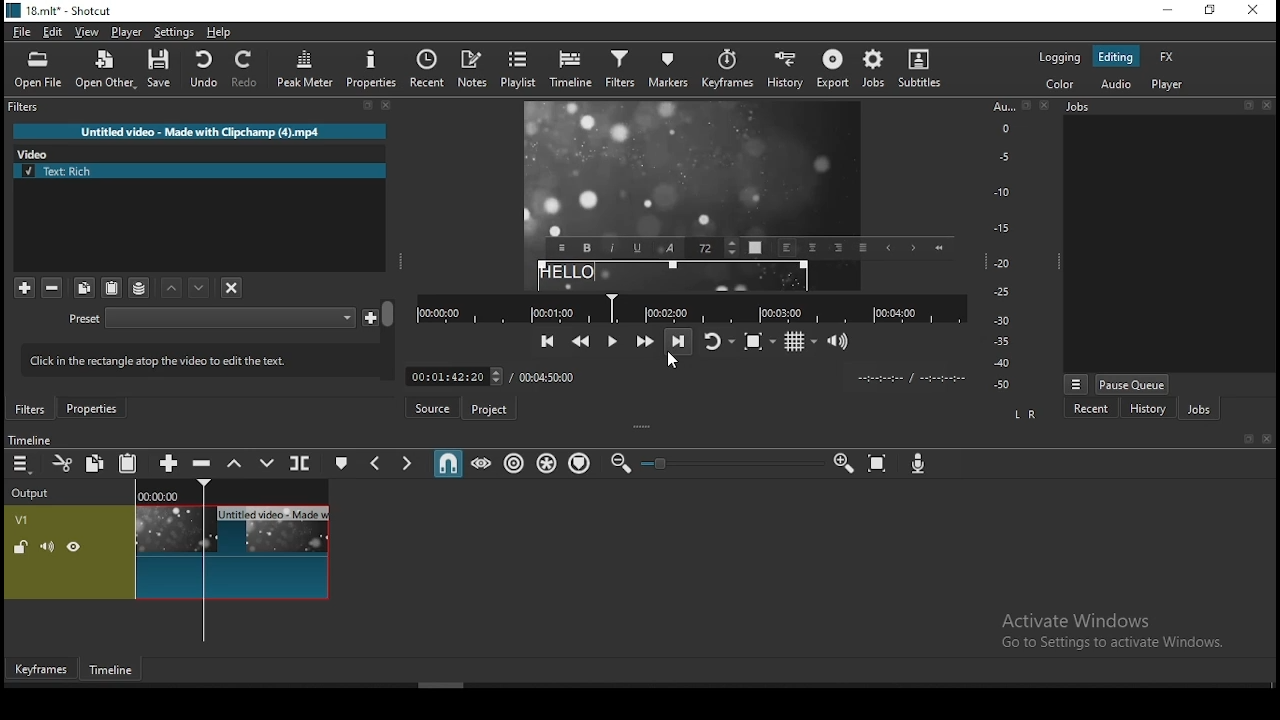  Describe the element at coordinates (862, 247) in the screenshot. I see `Justified alignment` at that location.